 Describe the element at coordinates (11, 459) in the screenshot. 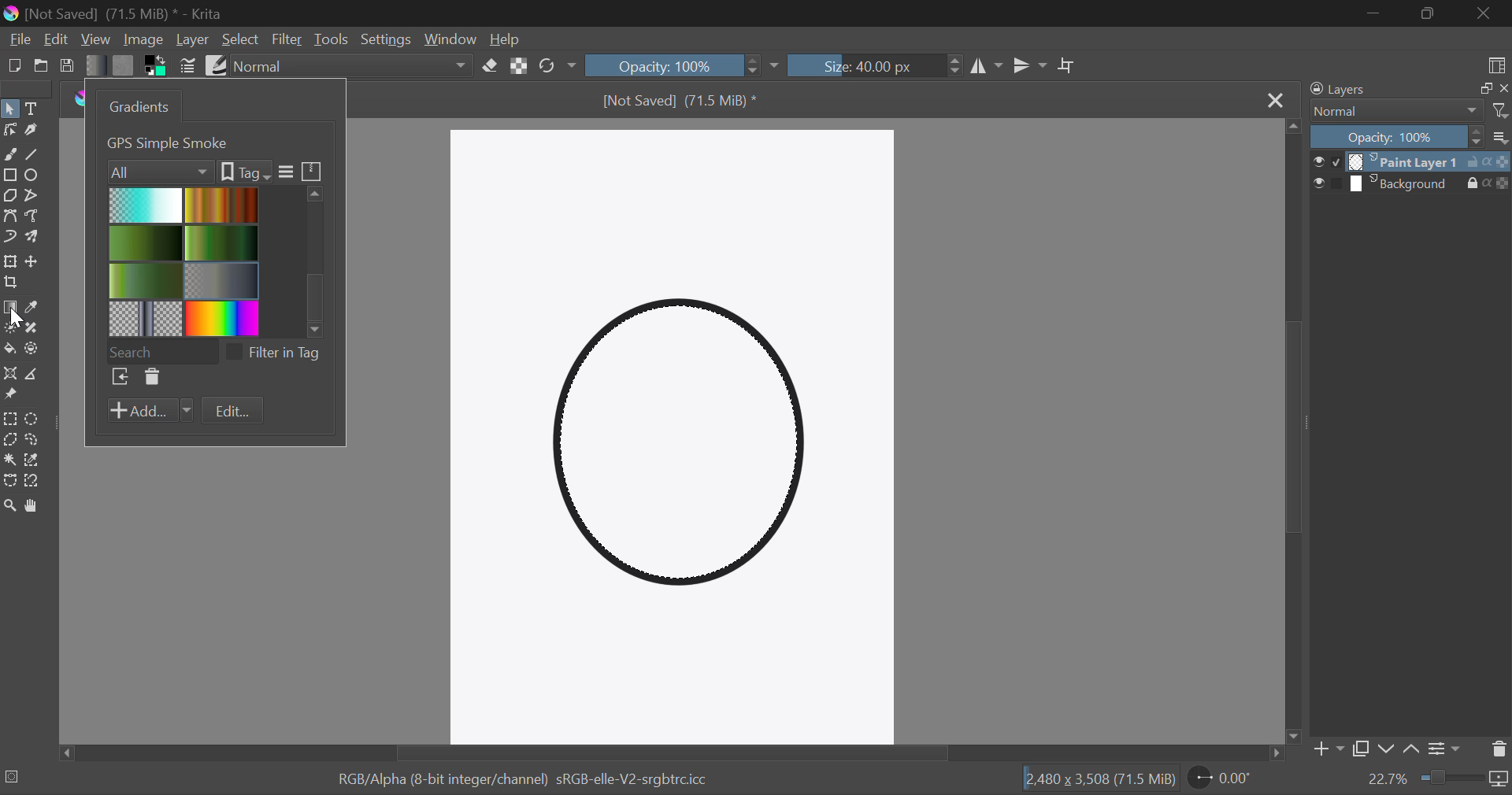

I see `Continuous Selection` at that location.